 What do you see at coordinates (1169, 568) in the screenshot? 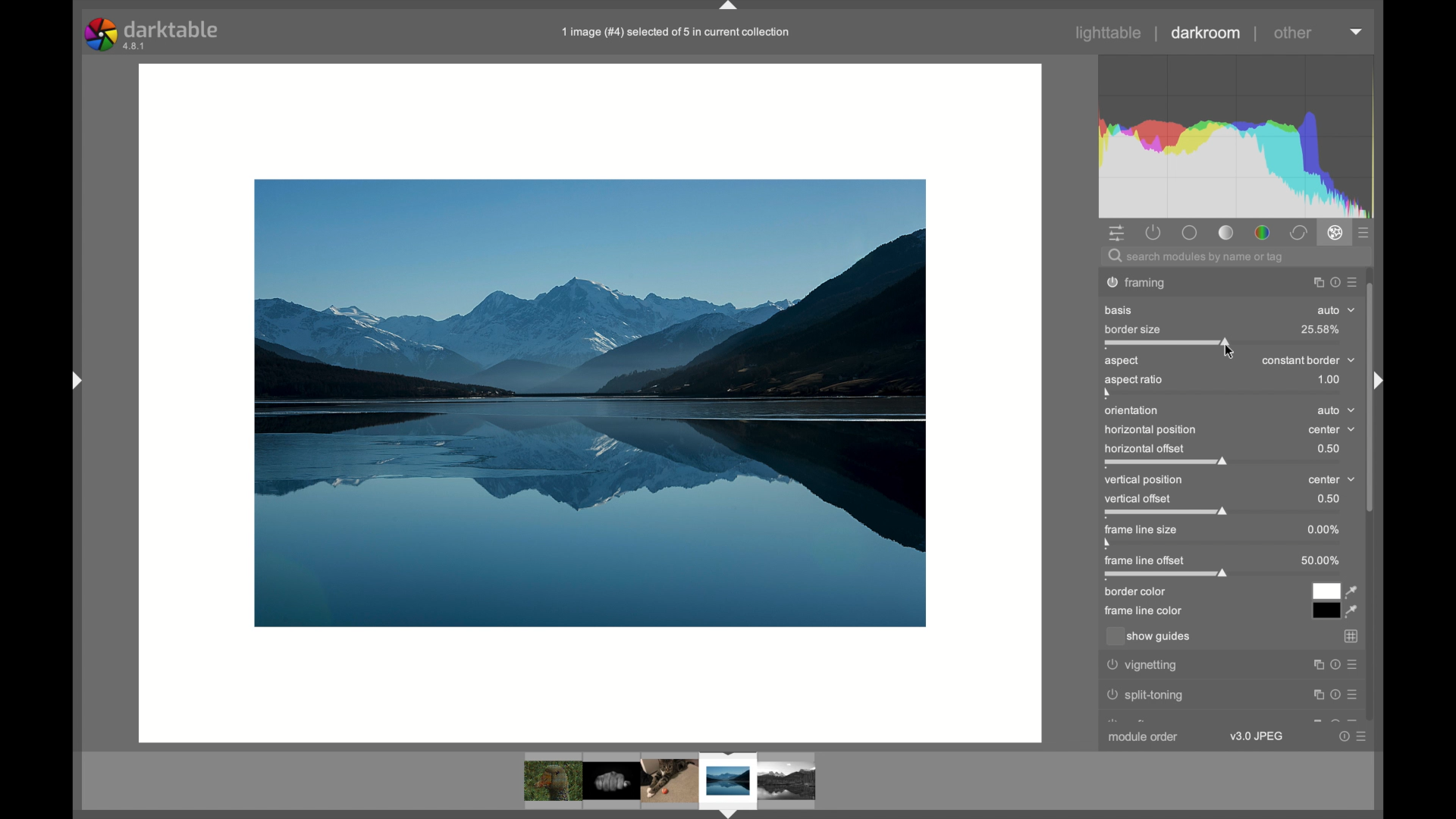
I see `frame line offset slider` at bounding box center [1169, 568].